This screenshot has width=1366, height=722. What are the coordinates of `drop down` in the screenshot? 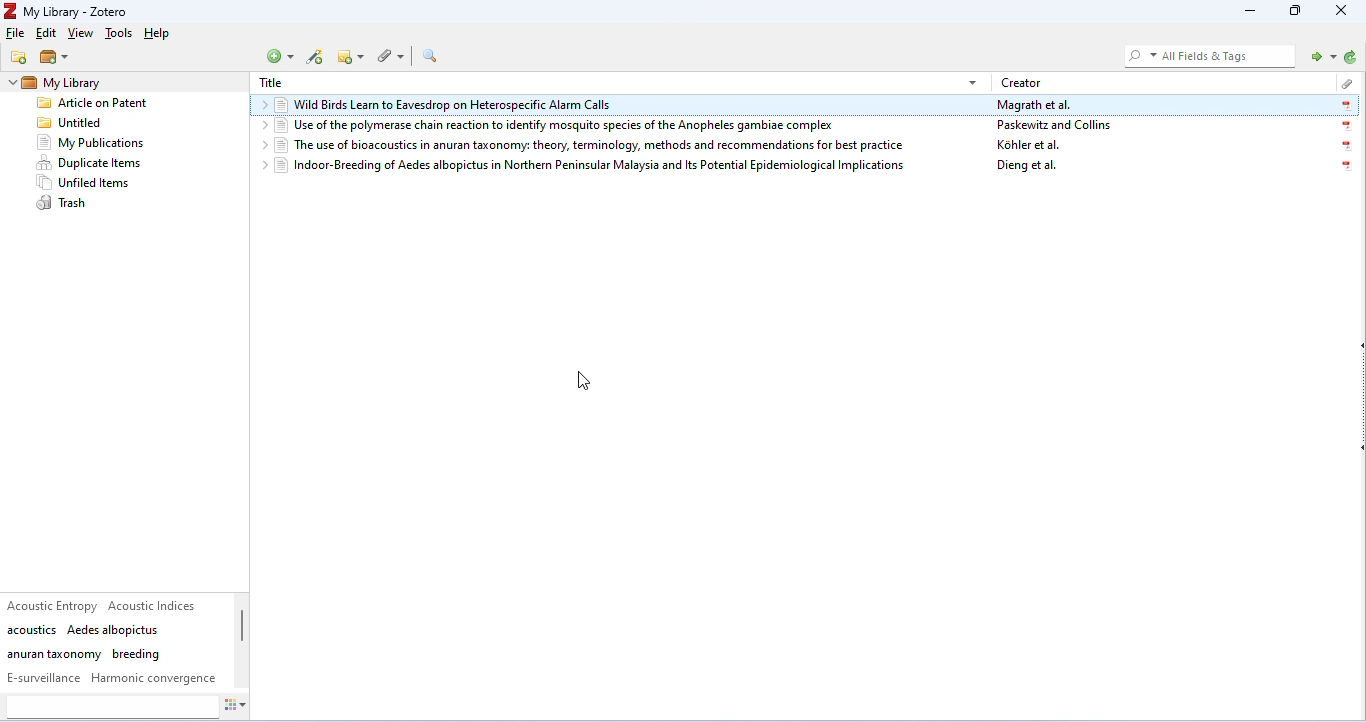 It's located at (11, 83).